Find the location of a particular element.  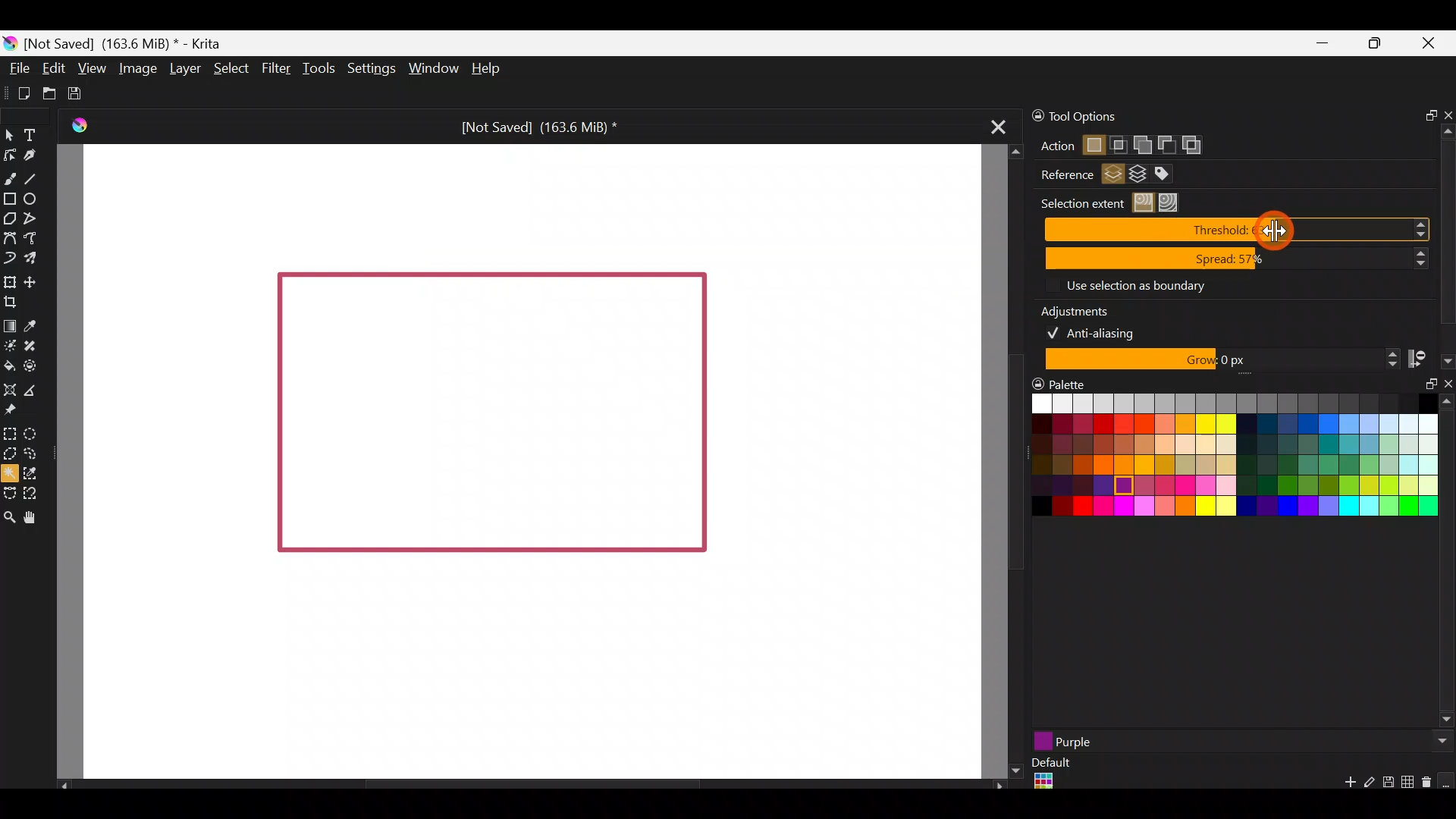

Select regions from the merging of layers with specific colours is located at coordinates (1170, 174).